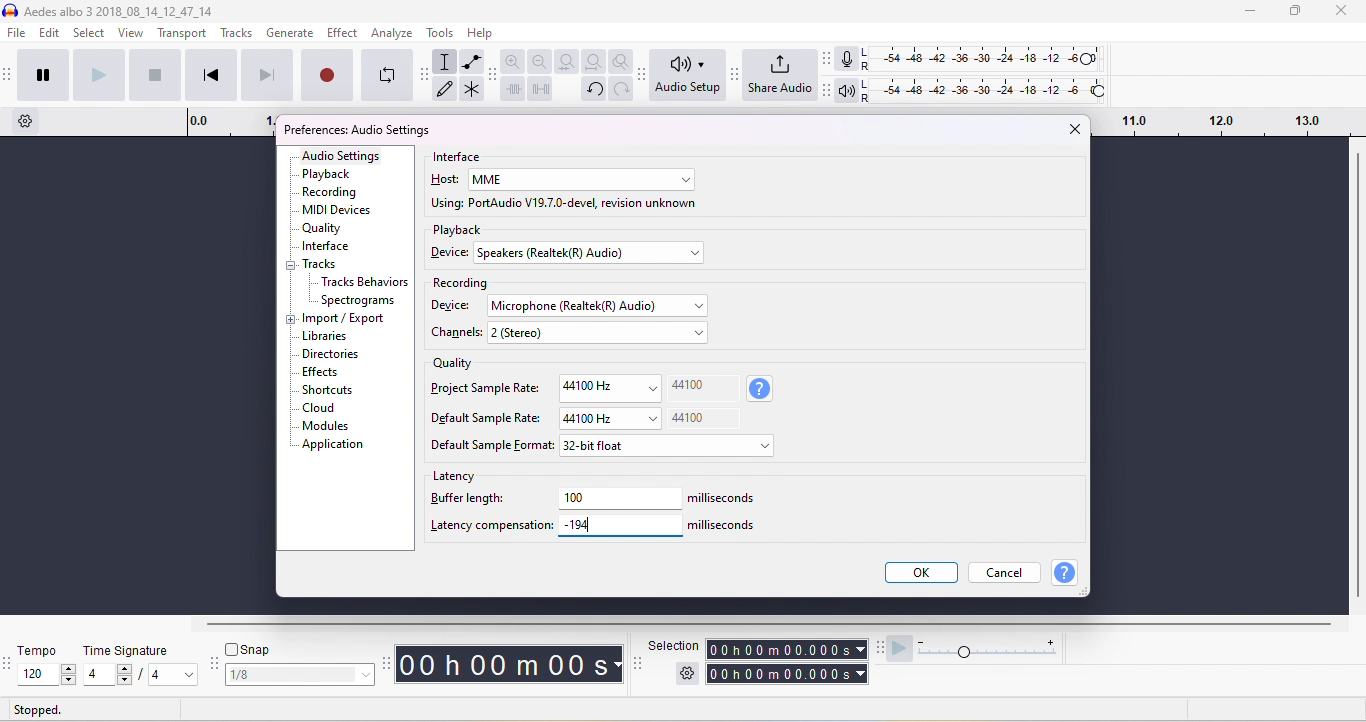 This screenshot has height=722, width=1366. I want to click on select recording device, so click(605, 306).